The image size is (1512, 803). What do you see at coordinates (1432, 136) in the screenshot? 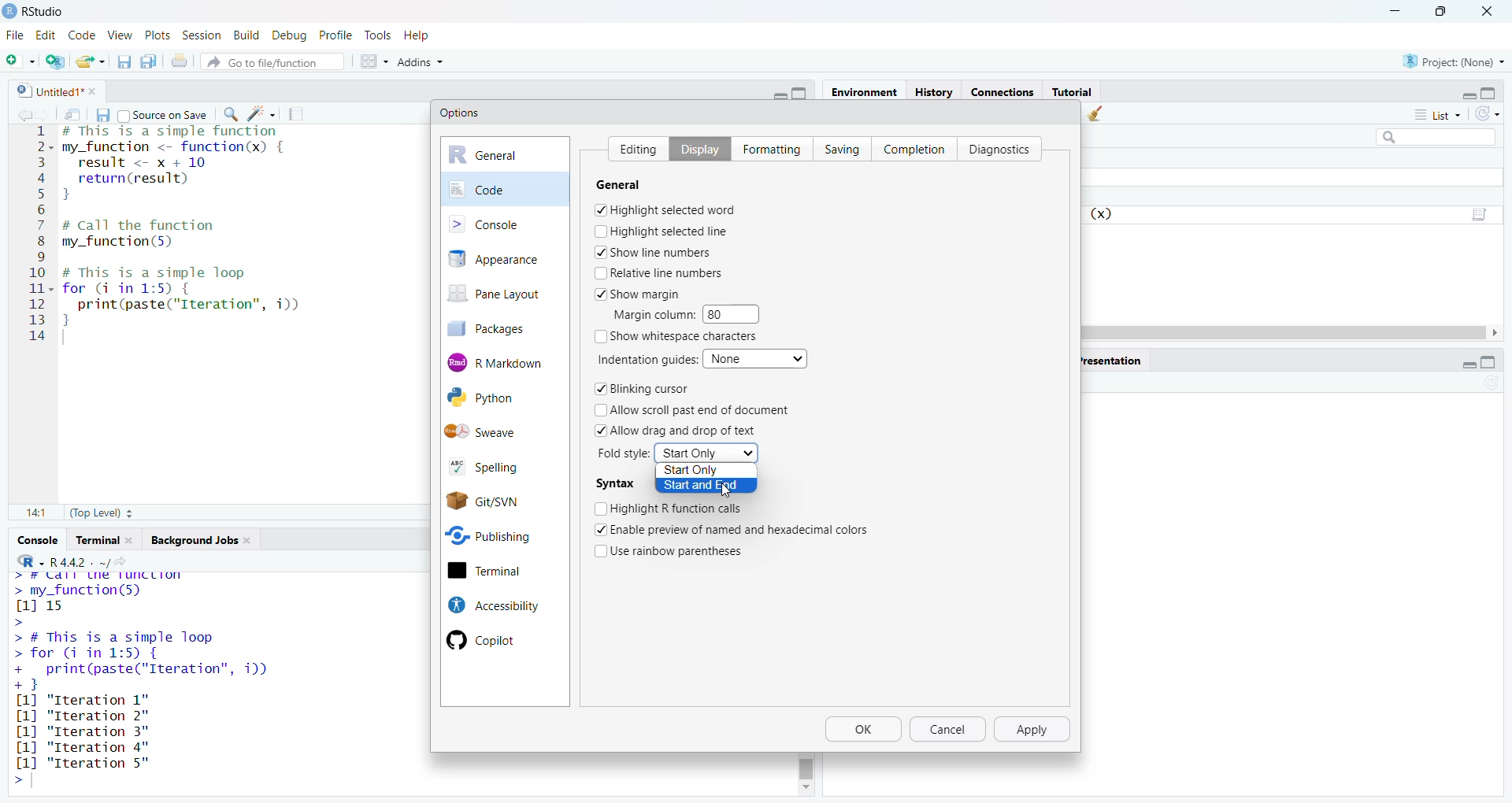
I see `search field` at bounding box center [1432, 136].